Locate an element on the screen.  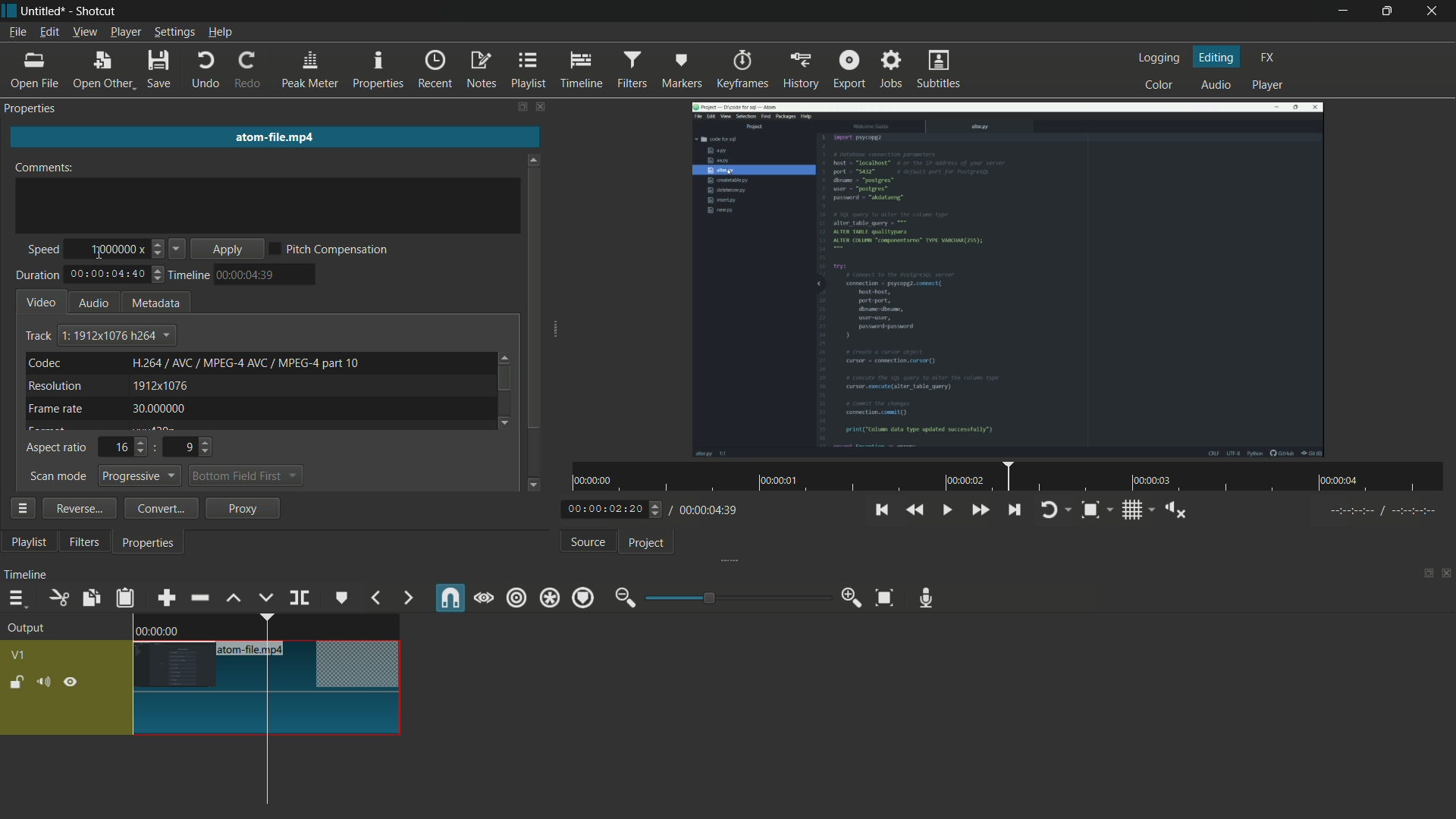
zoom out is located at coordinates (625, 598).